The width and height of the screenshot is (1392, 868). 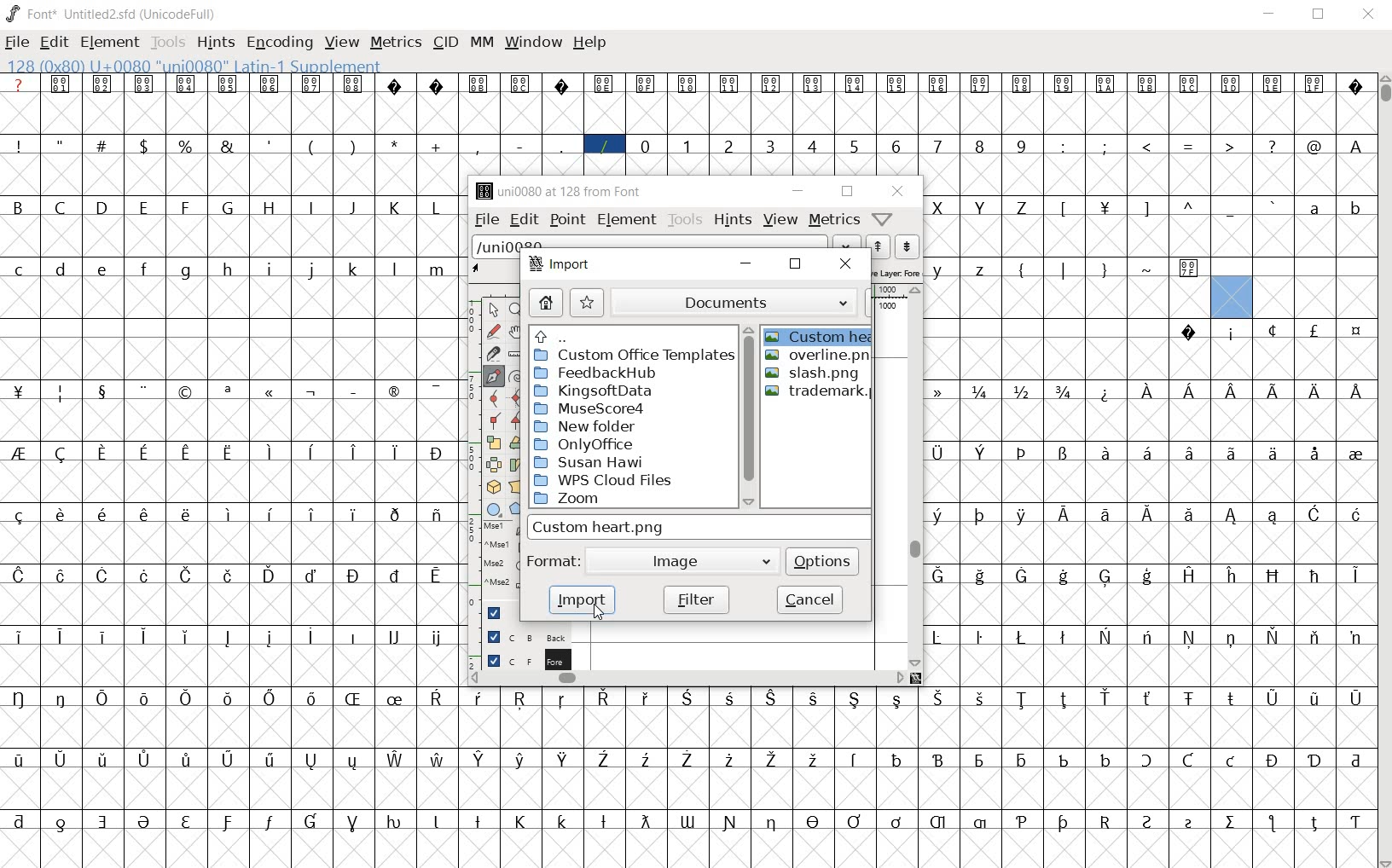 What do you see at coordinates (1356, 147) in the screenshot?
I see `glyph` at bounding box center [1356, 147].